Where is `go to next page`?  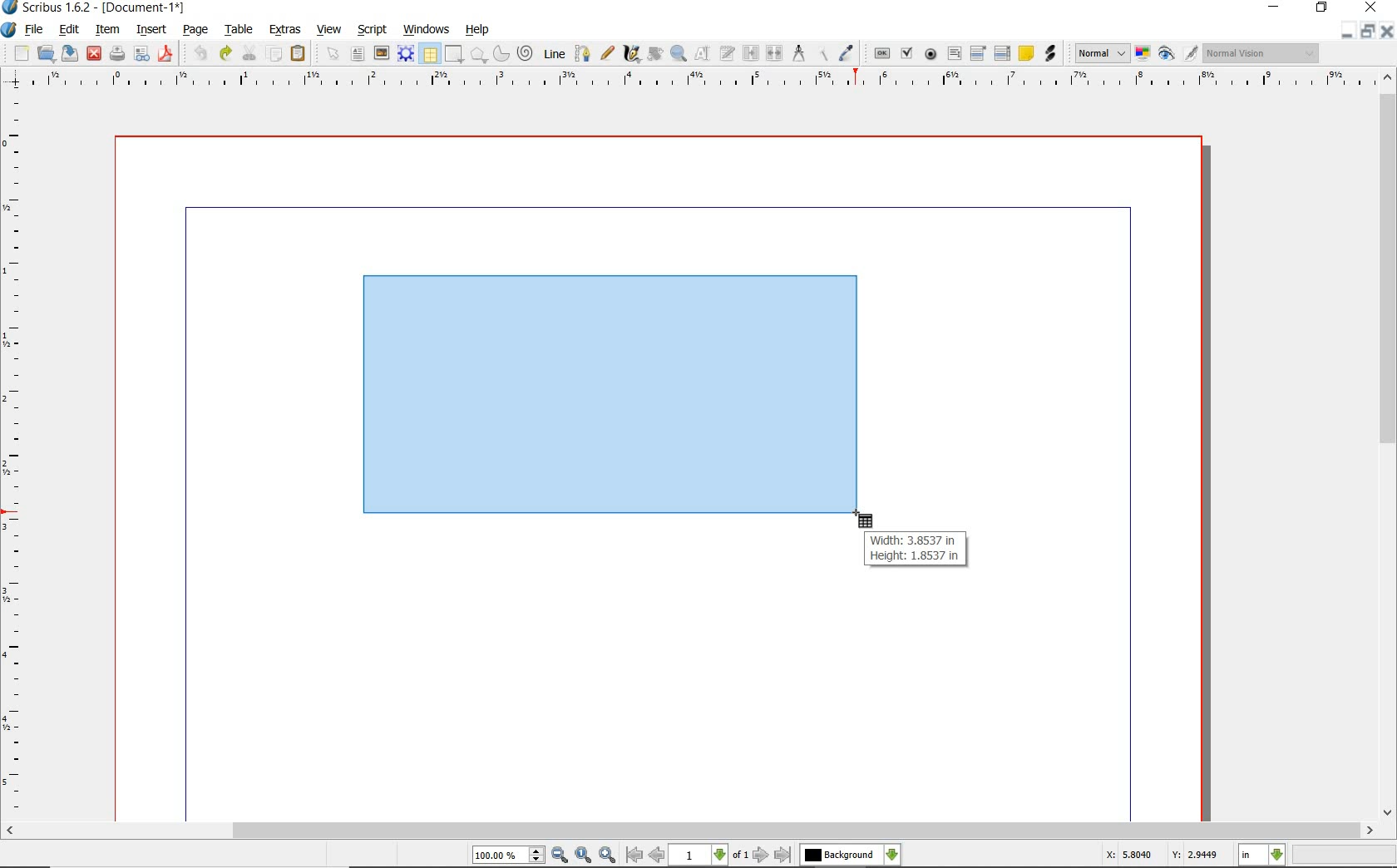 go to next page is located at coordinates (761, 855).